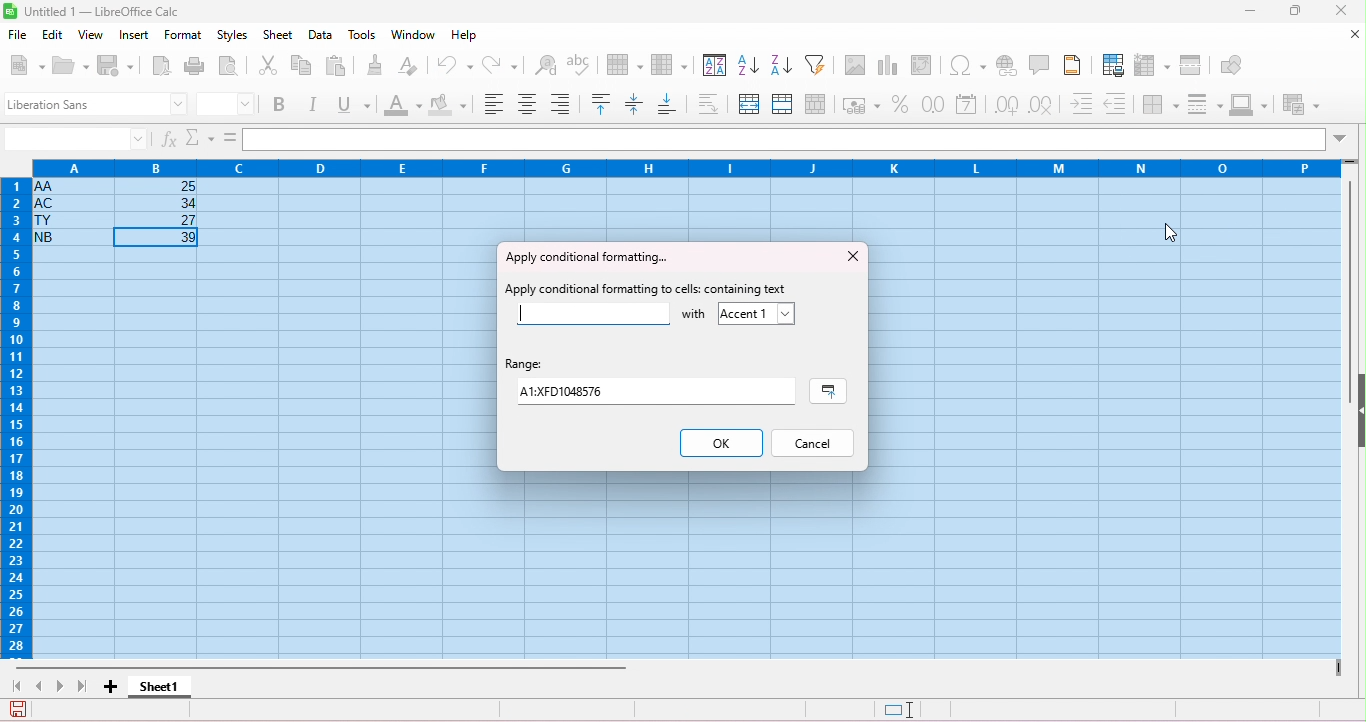 This screenshot has height=722, width=1366. What do you see at coordinates (636, 104) in the screenshot?
I see `center vertically` at bounding box center [636, 104].